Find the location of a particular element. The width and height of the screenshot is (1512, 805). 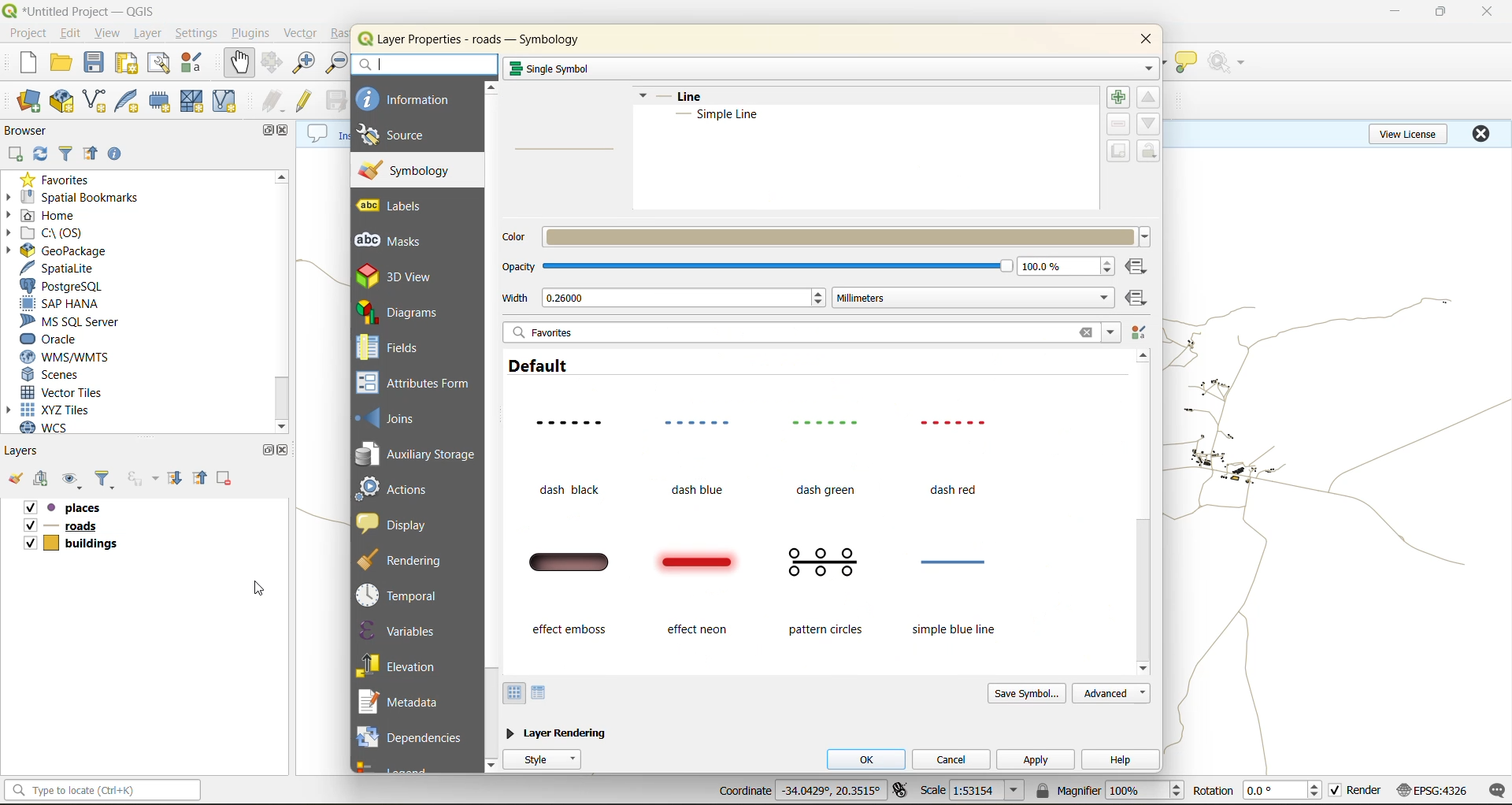

magnifier is located at coordinates (1109, 791).